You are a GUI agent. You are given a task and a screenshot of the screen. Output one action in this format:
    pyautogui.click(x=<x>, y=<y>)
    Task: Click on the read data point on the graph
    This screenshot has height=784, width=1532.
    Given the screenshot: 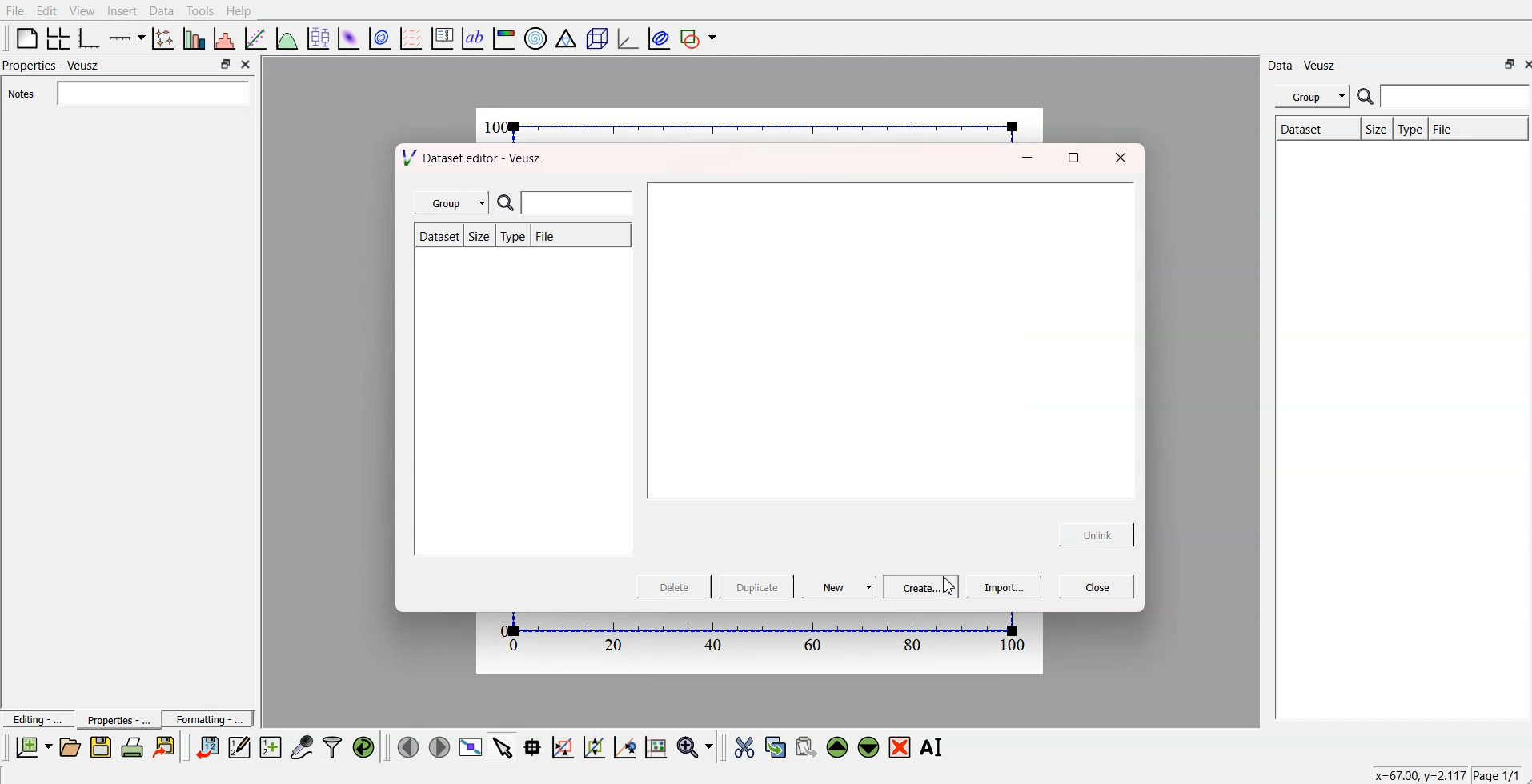 What is the action you would take?
    pyautogui.click(x=534, y=746)
    